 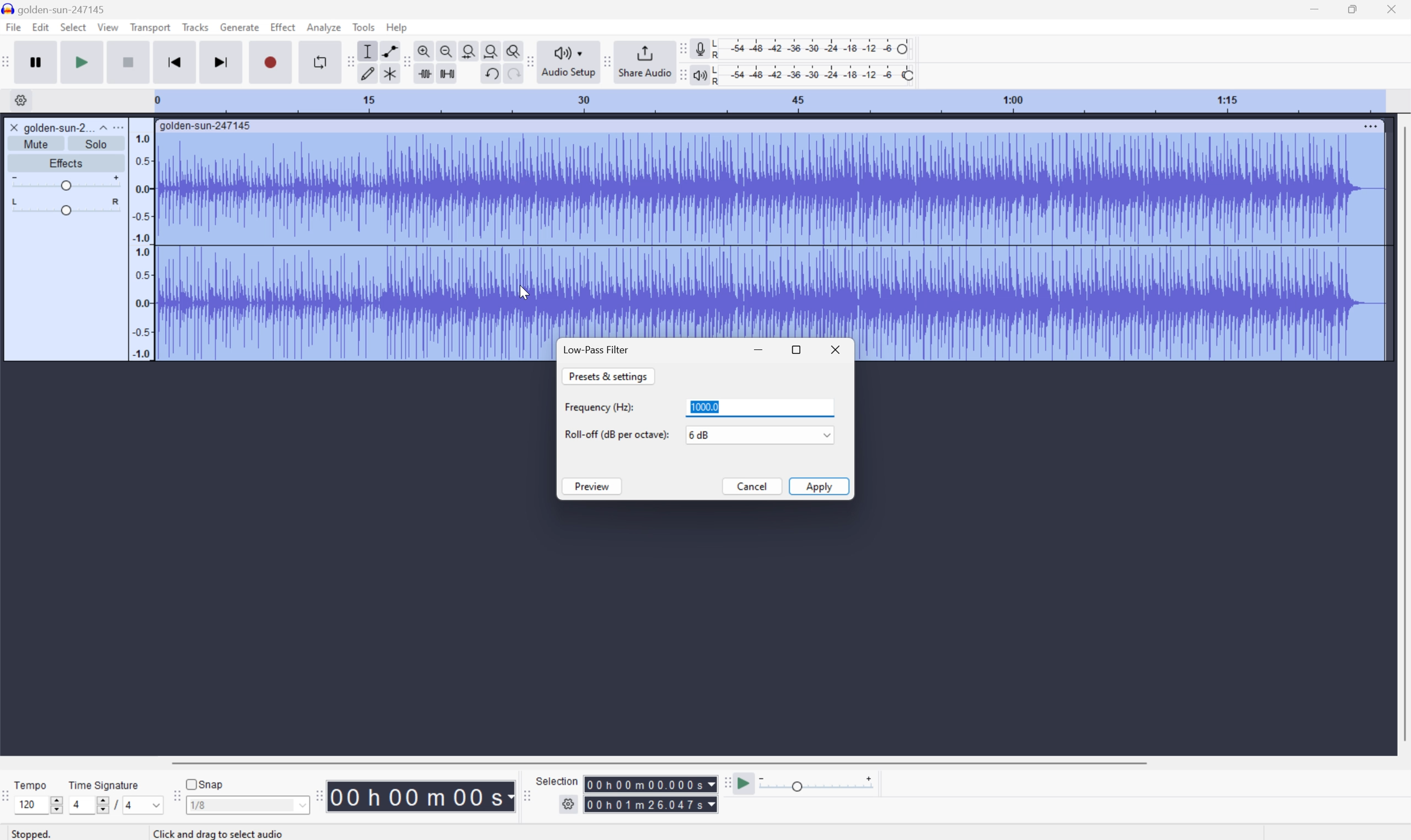 What do you see at coordinates (644, 61) in the screenshot?
I see `Share Audio` at bounding box center [644, 61].